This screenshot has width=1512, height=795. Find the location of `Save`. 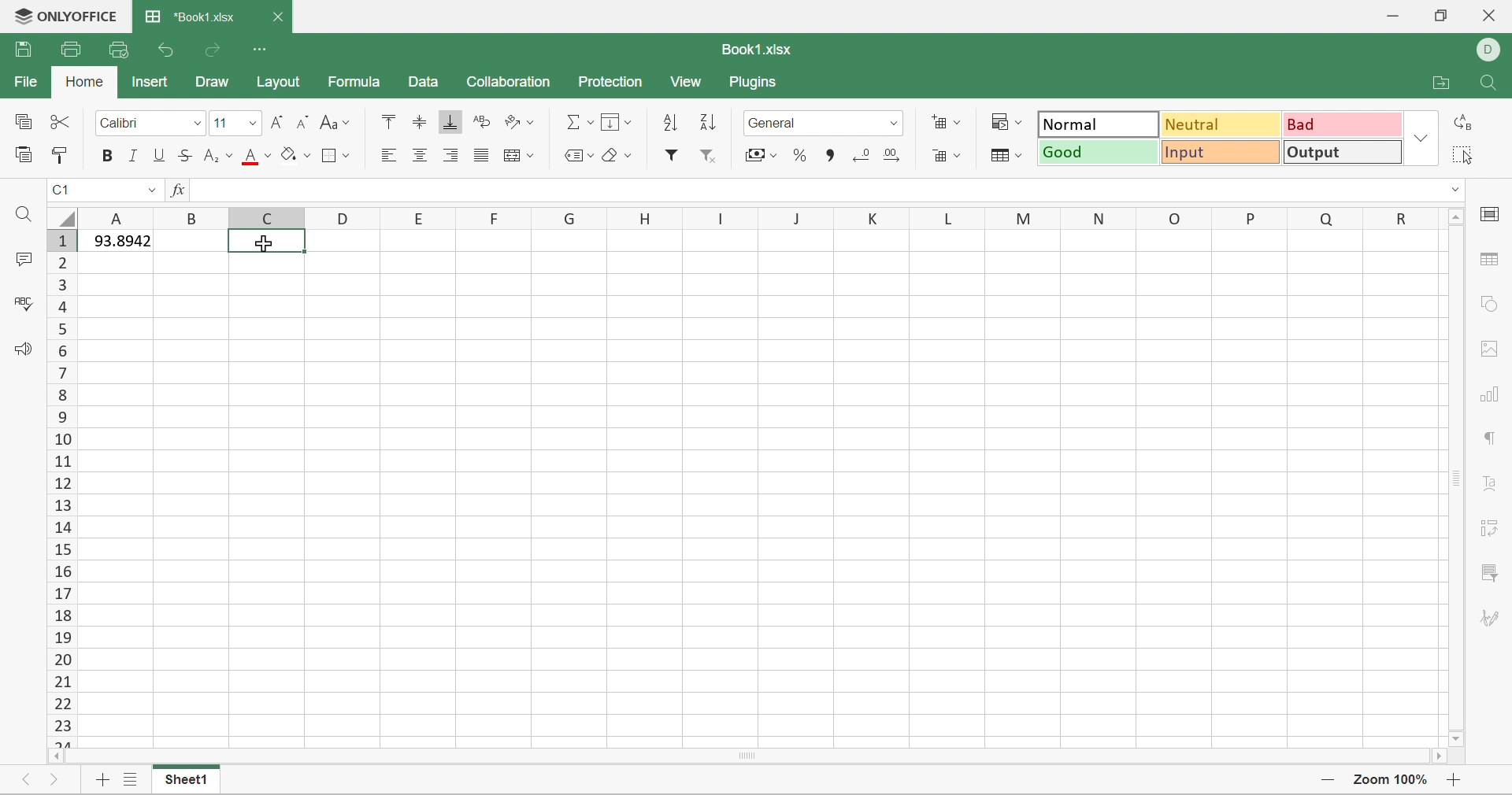

Save is located at coordinates (21, 50).